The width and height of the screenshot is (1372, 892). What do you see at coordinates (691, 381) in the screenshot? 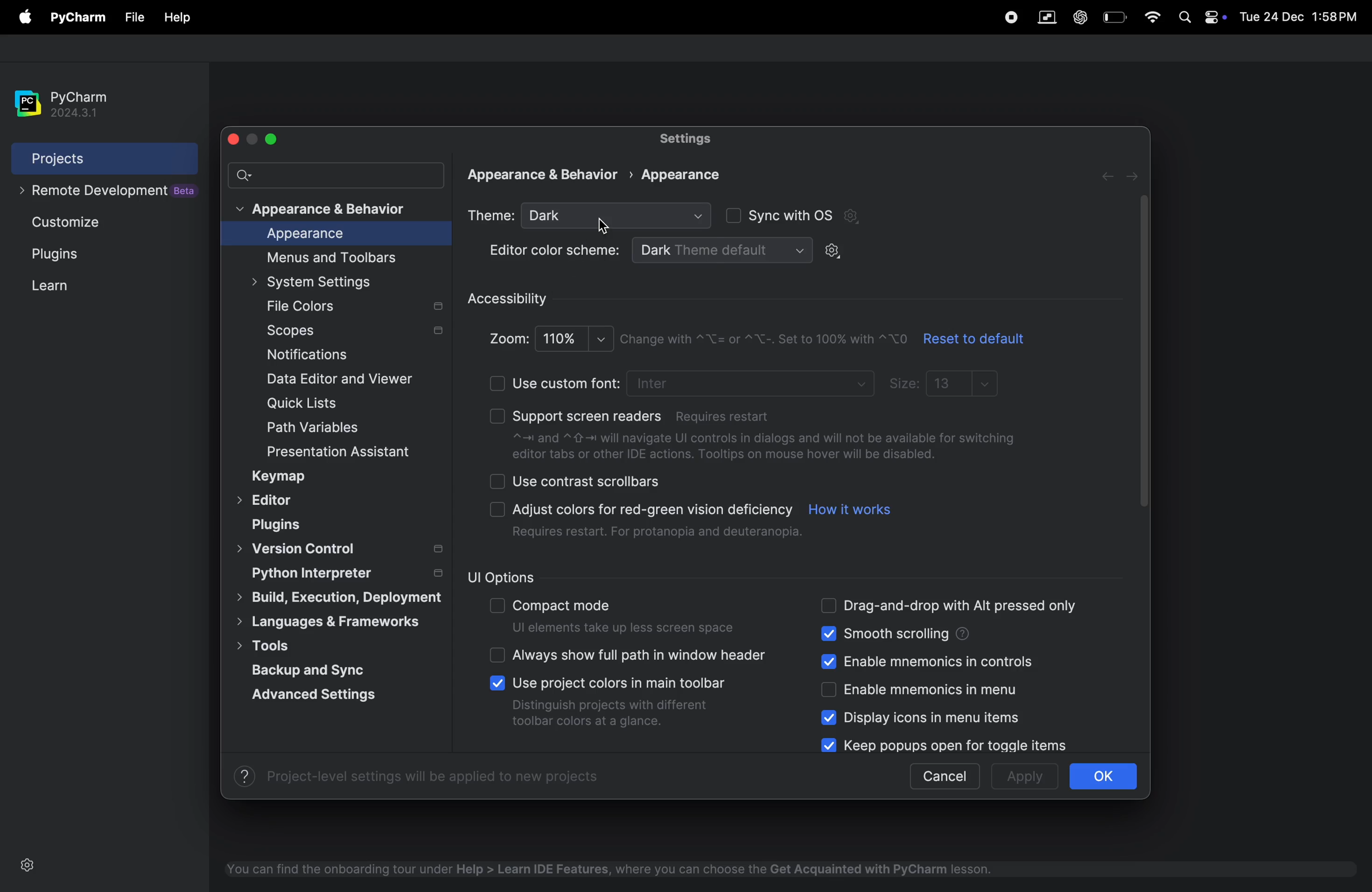
I see `use custom font (Requires restart)` at bounding box center [691, 381].